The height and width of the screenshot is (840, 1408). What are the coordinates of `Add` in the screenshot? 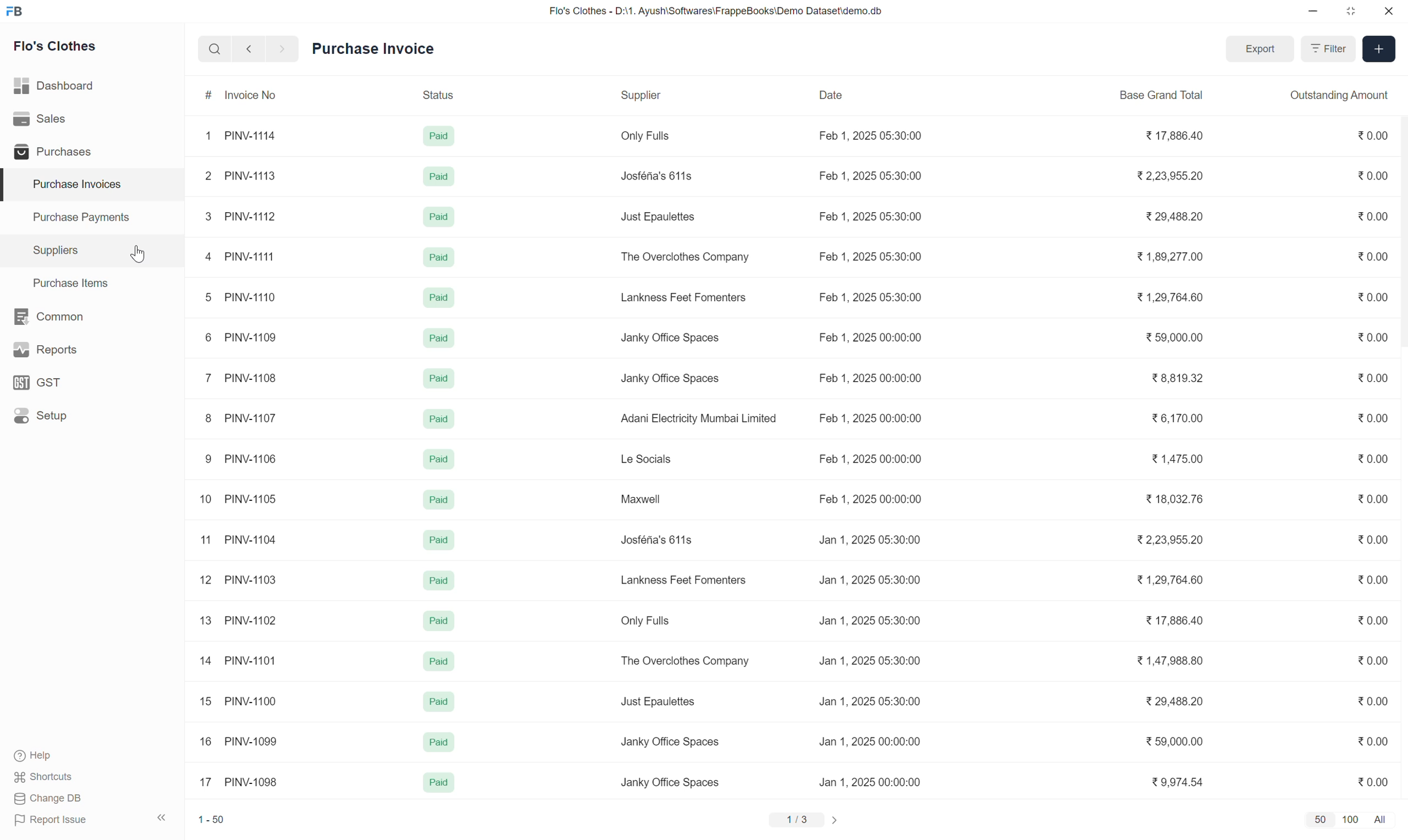 It's located at (1379, 49).